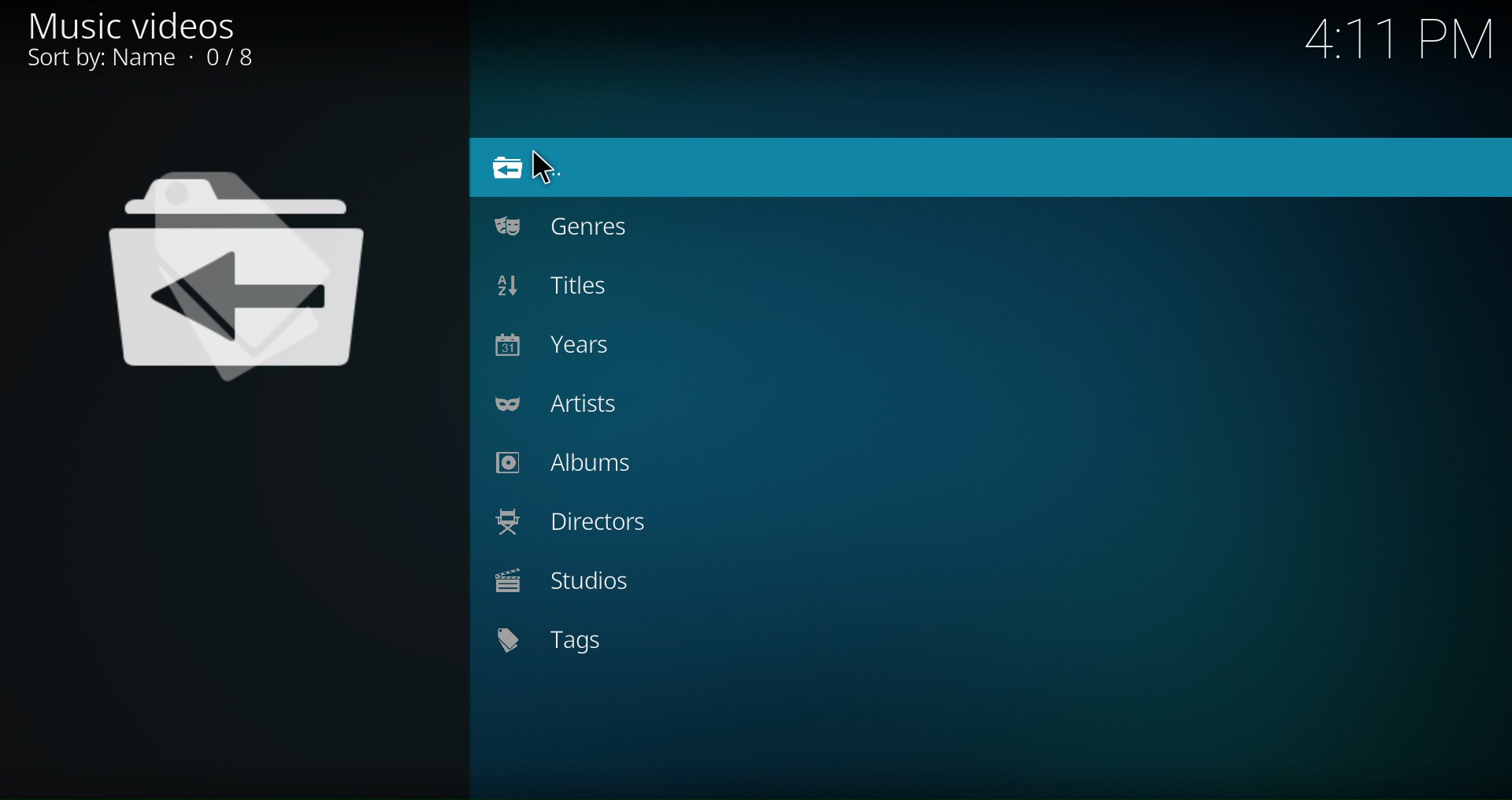  I want to click on Pointer Cursor, so click(544, 165).